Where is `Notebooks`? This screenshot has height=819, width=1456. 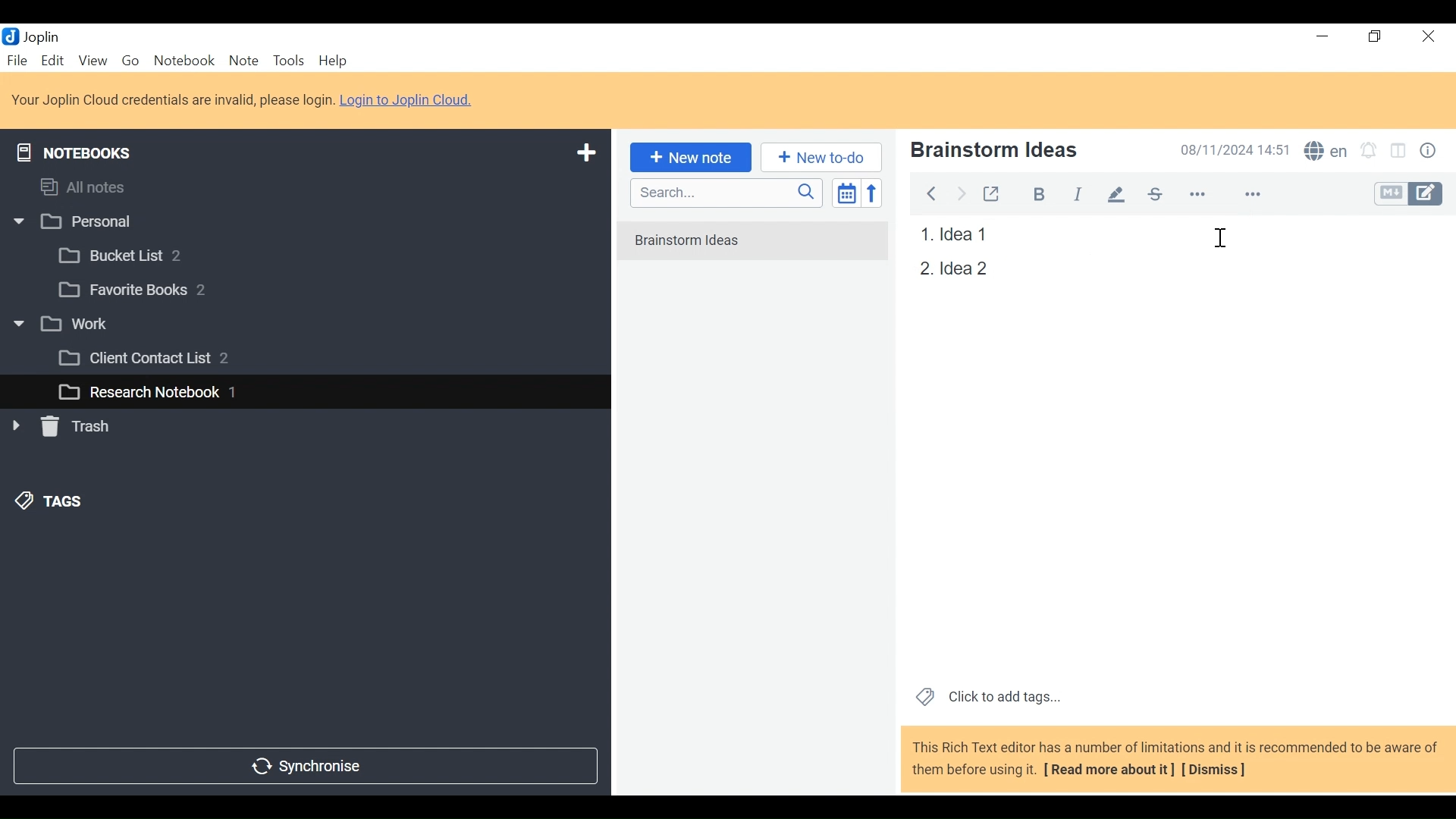
Notebooks is located at coordinates (85, 149).